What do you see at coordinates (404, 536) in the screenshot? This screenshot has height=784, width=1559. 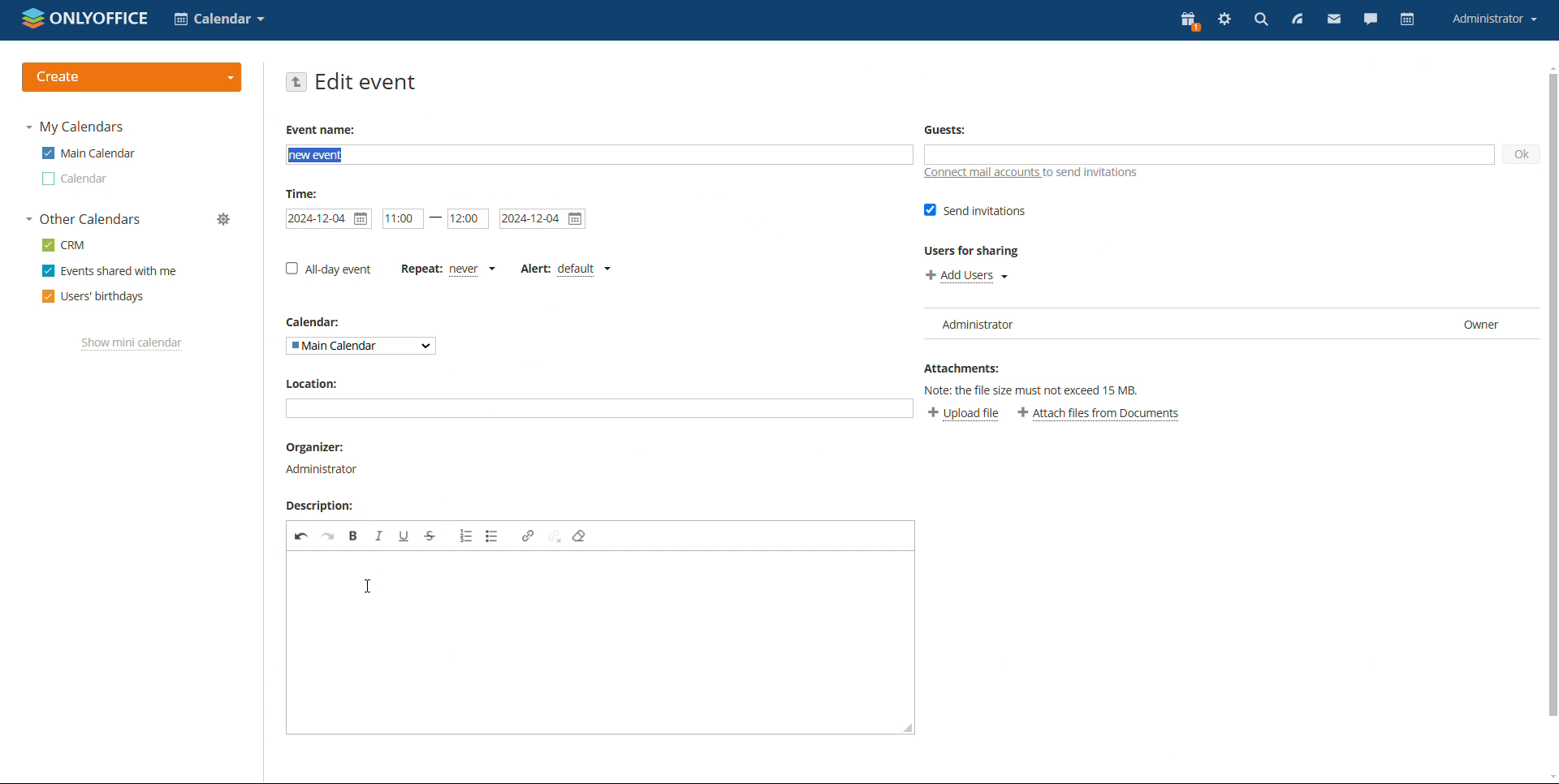 I see `underline` at bounding box center [404, 536].